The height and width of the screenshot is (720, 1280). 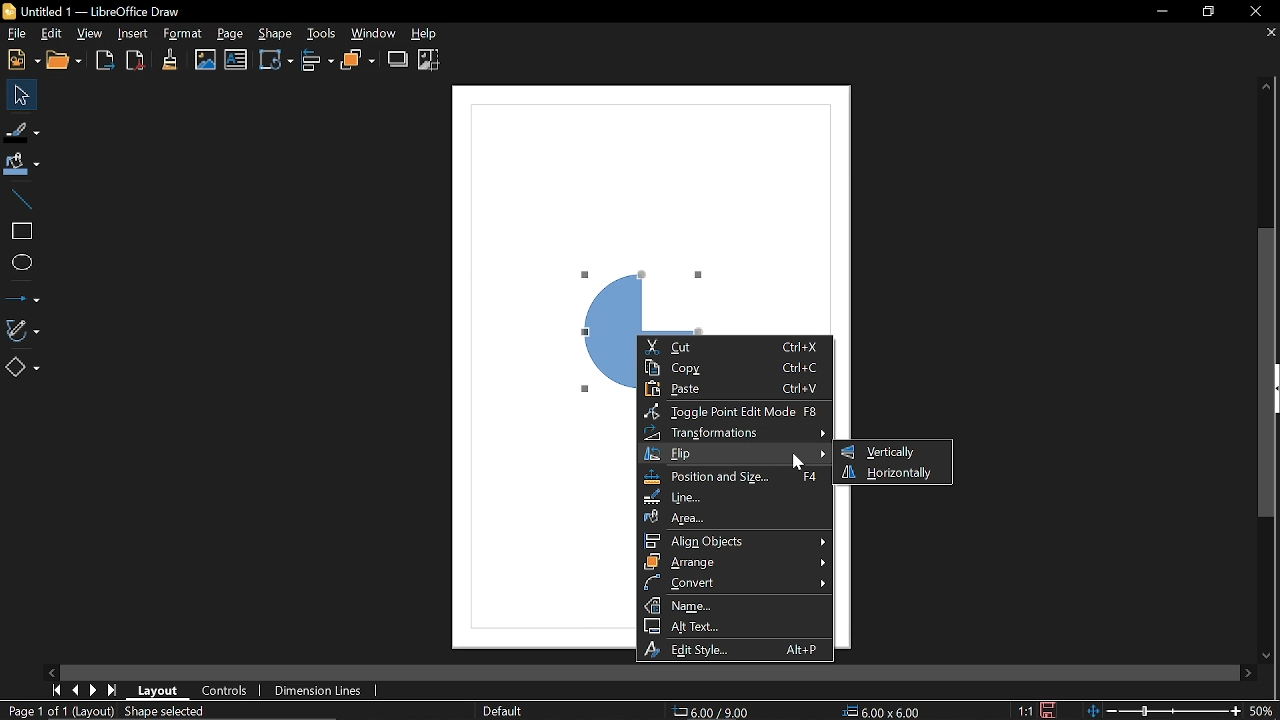 What do you see at coordinates (22, 130) in the screenshot?
I see `Fill line` at bounding box center [22, 130].